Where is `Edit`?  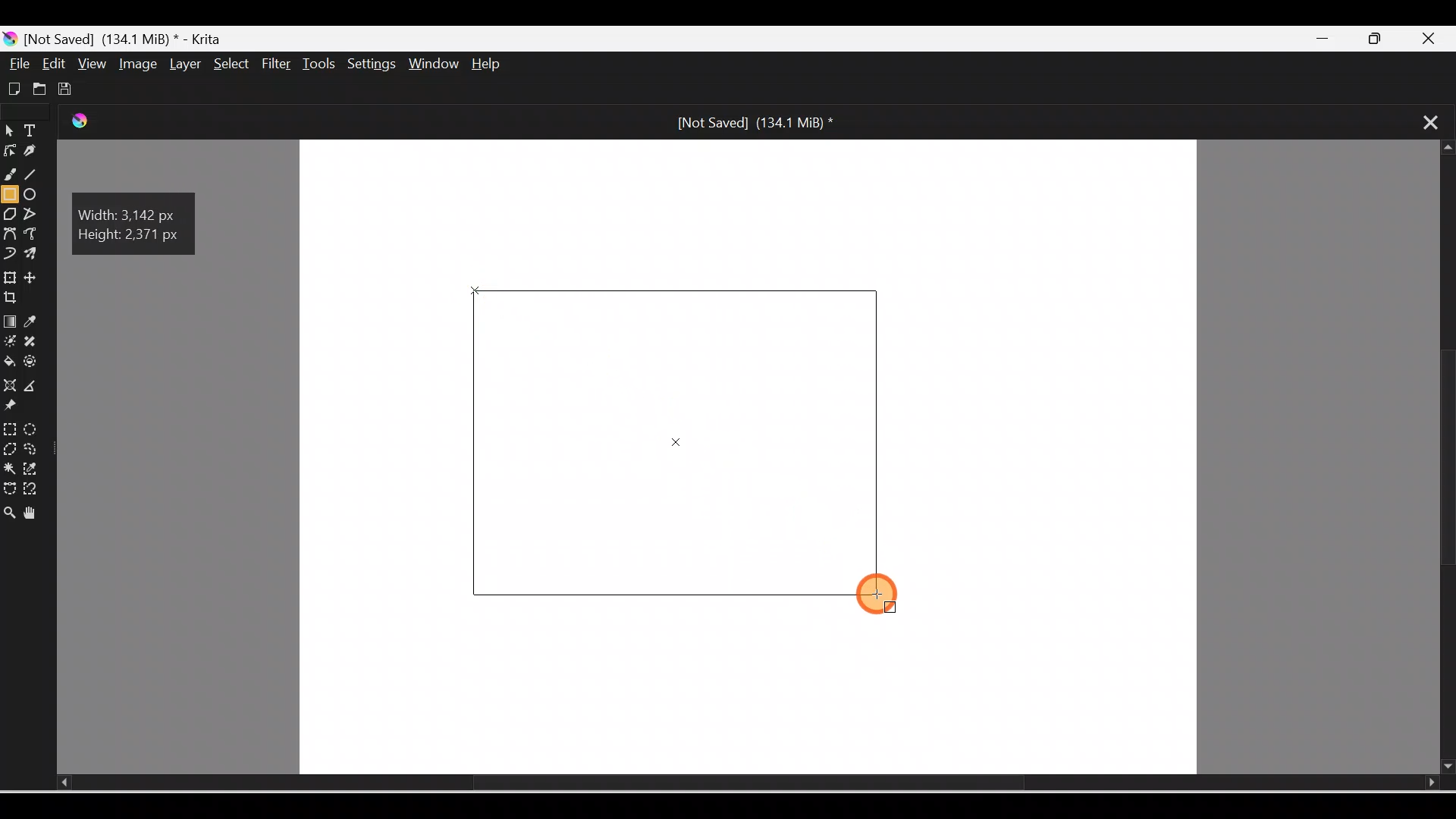
Edit is located at coordinates (55, 64).